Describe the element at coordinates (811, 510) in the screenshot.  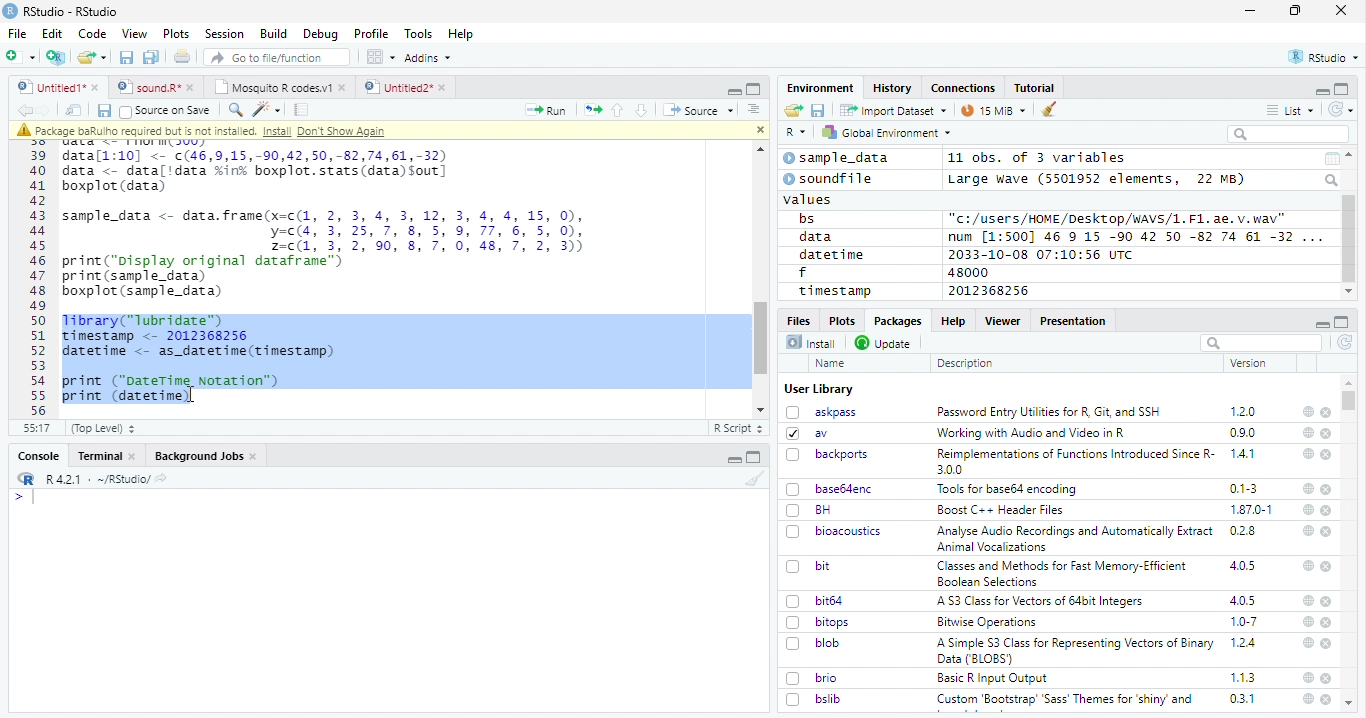
I see `BH` at that location.